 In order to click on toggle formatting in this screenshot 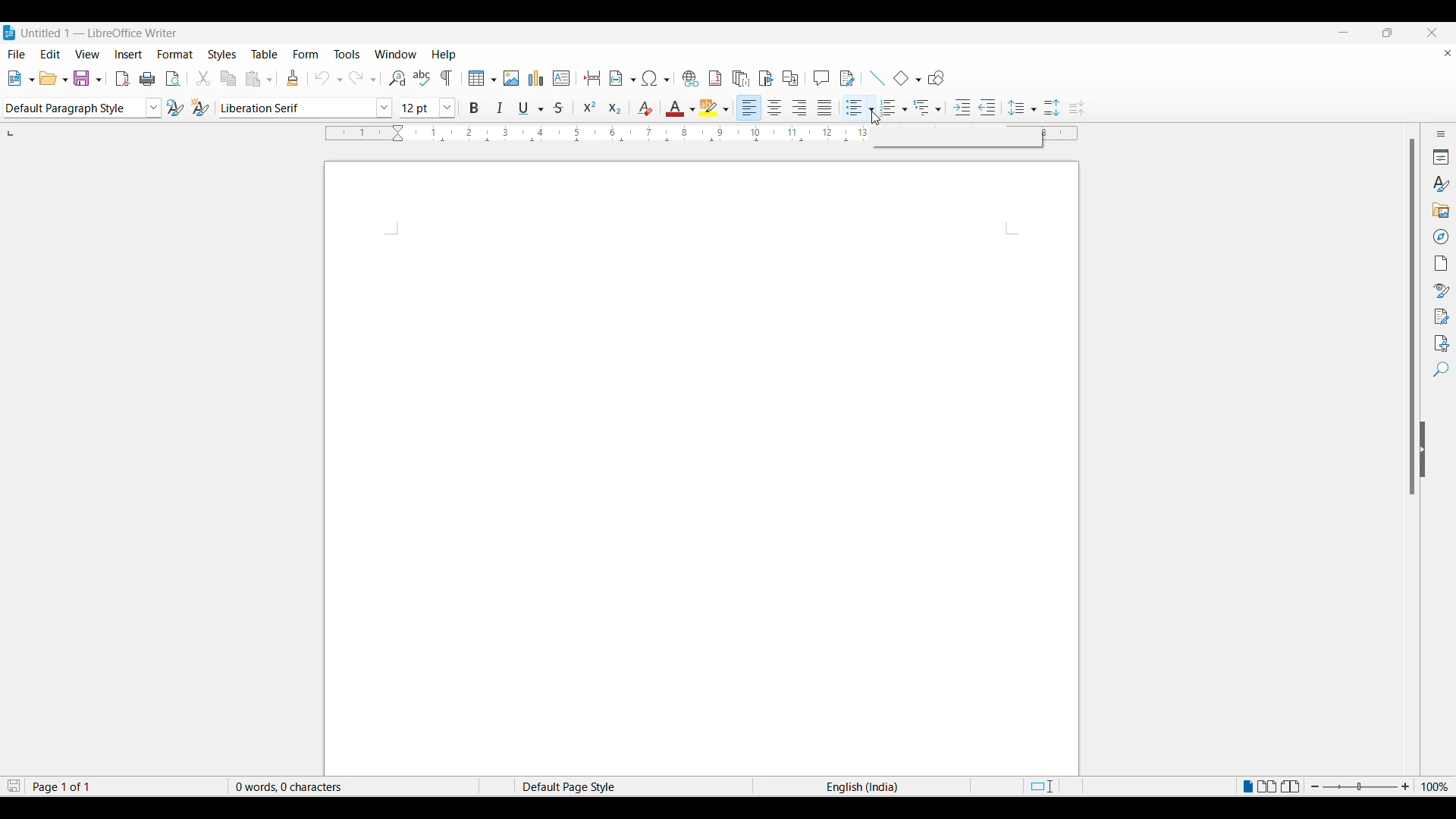, I will do `click(448, 79)`.